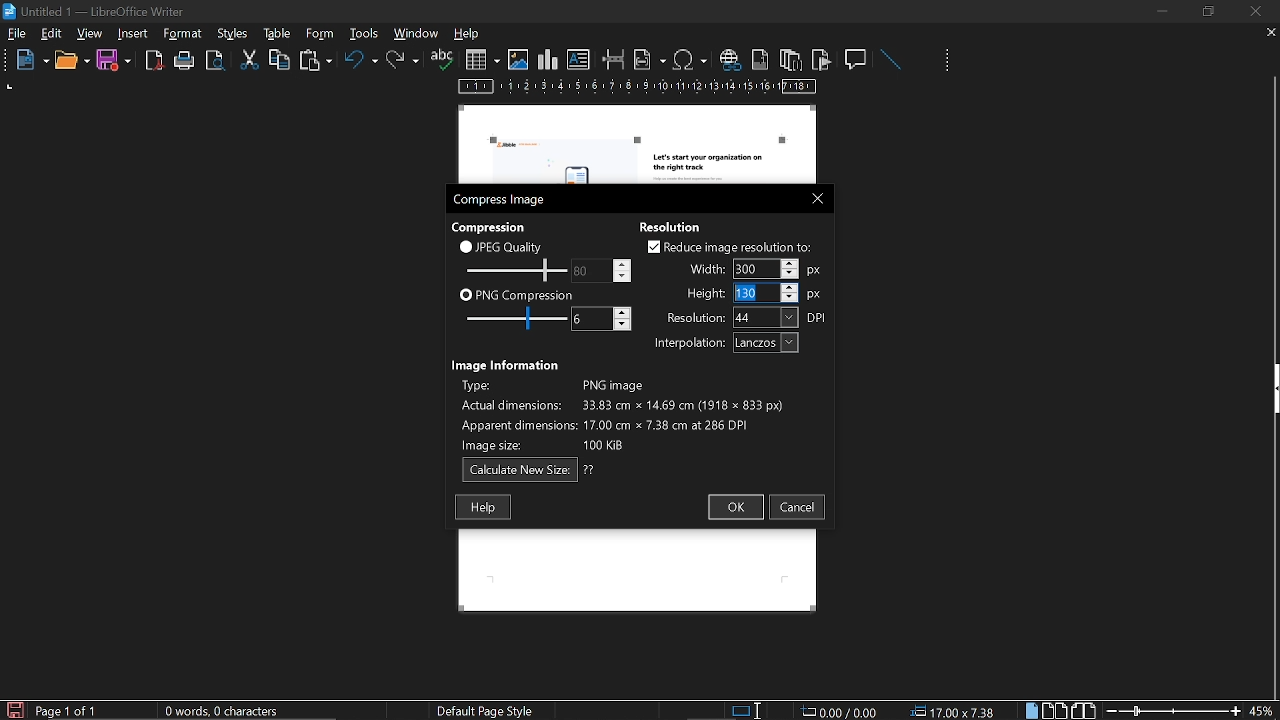  Describe the element at coordinates (622, 412) in the screenshot. I see `image info` at that location.